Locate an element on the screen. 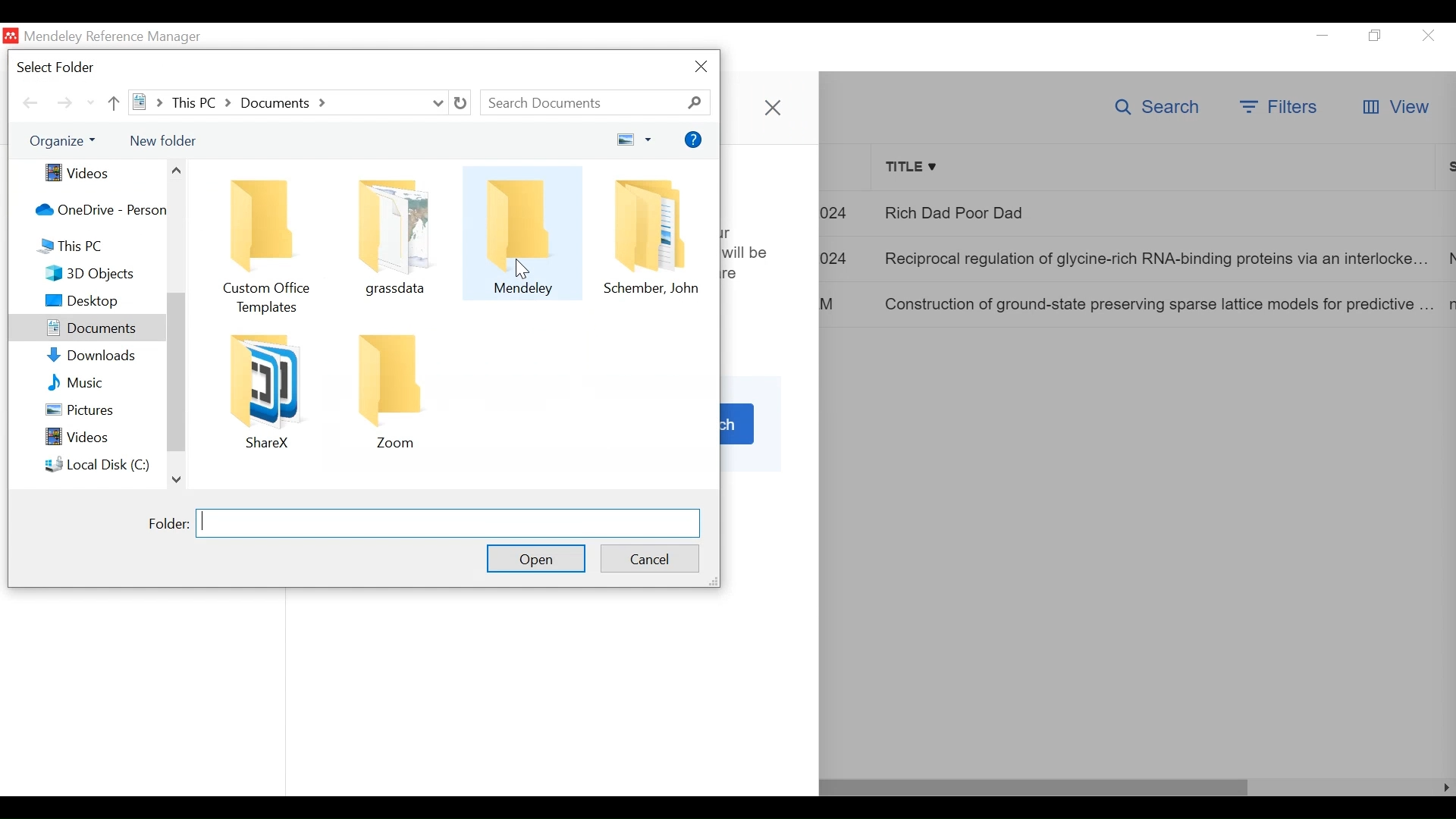  Scroll Right is located at coordinates (1444, 788).